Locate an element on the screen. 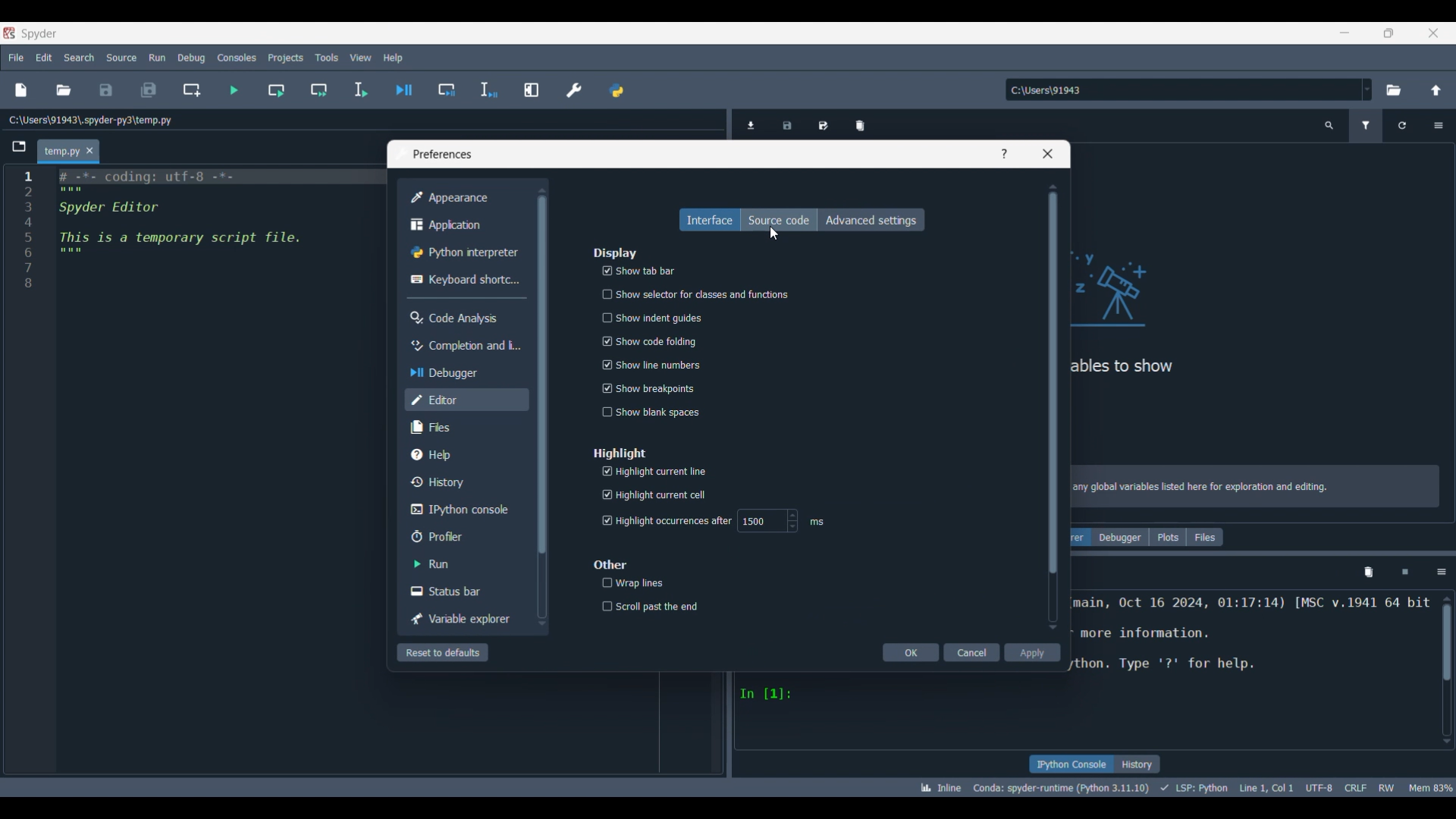 The height and width of the screenshot is (819, 1456). Completion and linting is located at coordinates (464, 347).